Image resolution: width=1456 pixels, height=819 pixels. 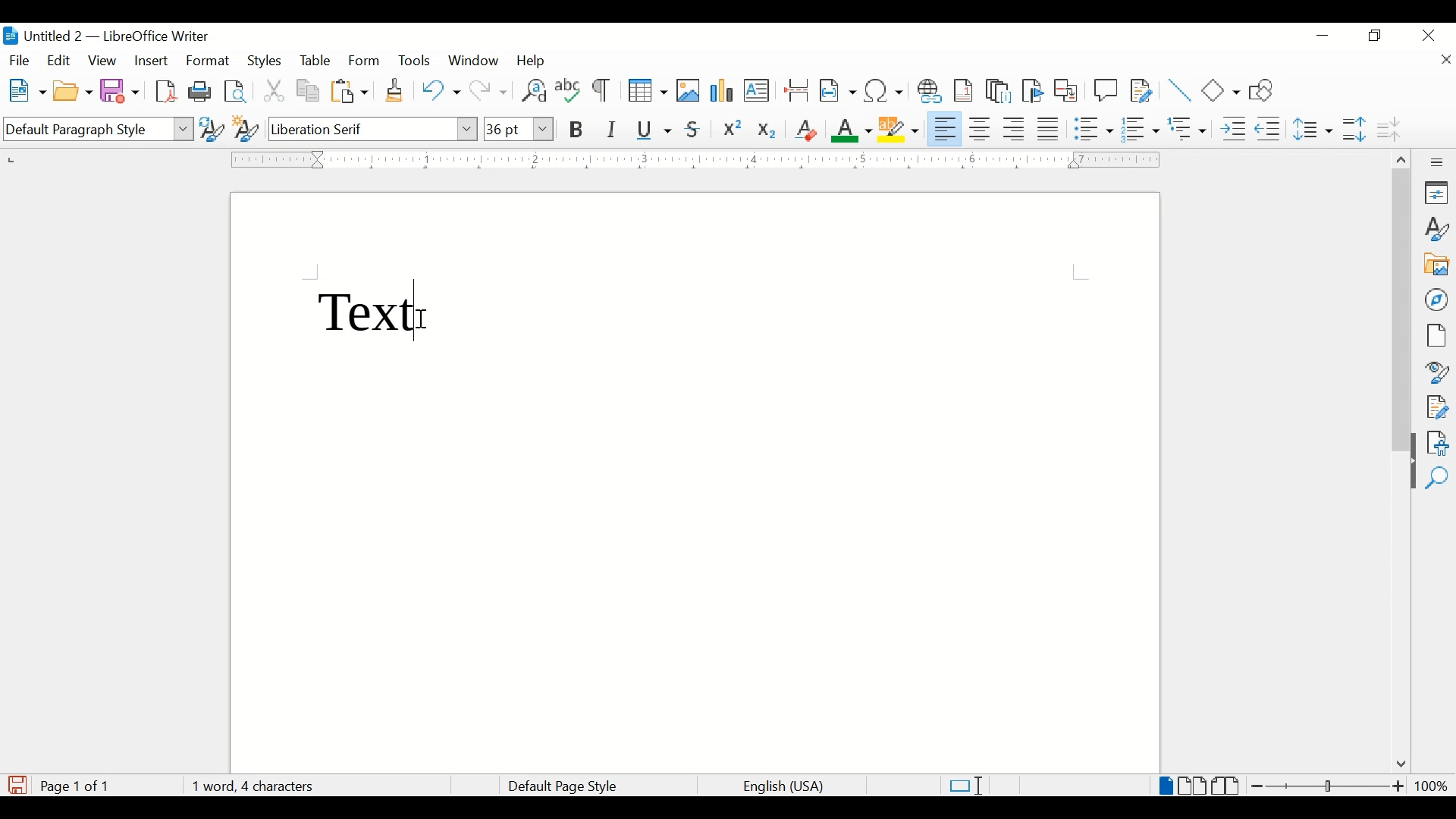 What do you see at coordinates (654, 130) in the screenshot?
I see `underline` at bounding box center [654, 130].